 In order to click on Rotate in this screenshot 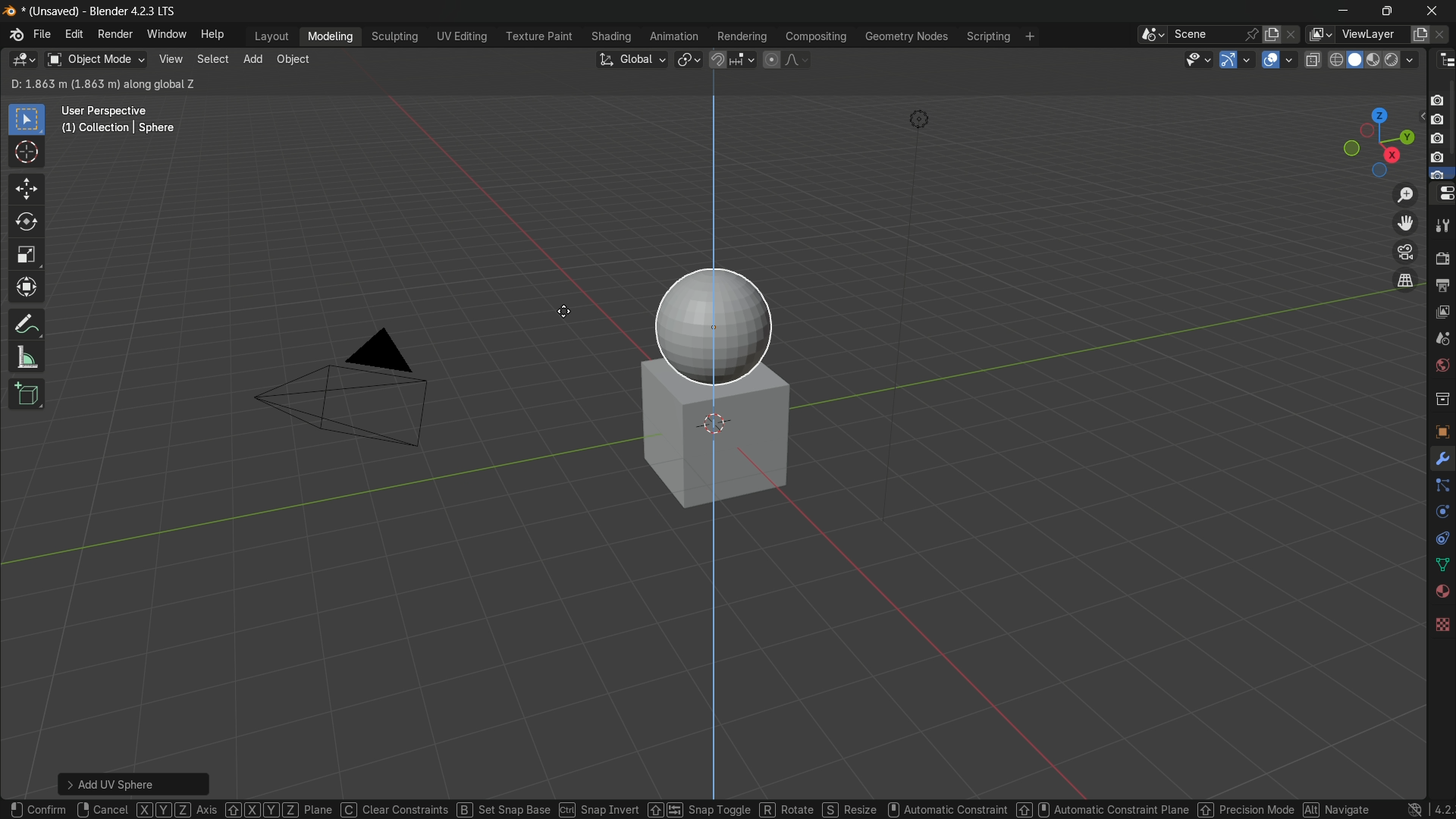, I will do `click(667, 809)`.